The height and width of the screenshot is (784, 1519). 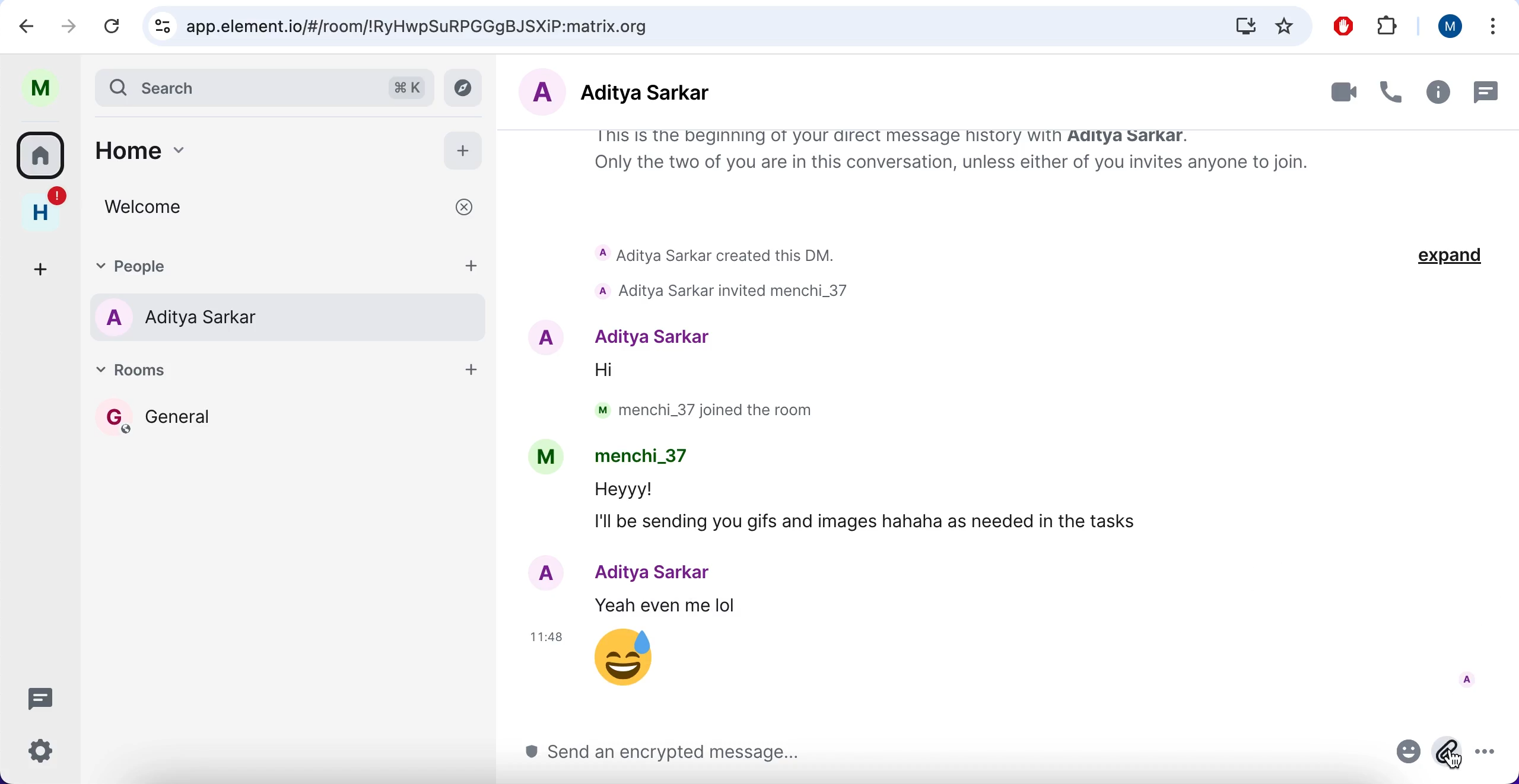 I want to click on people, so click(x=263, y=266).